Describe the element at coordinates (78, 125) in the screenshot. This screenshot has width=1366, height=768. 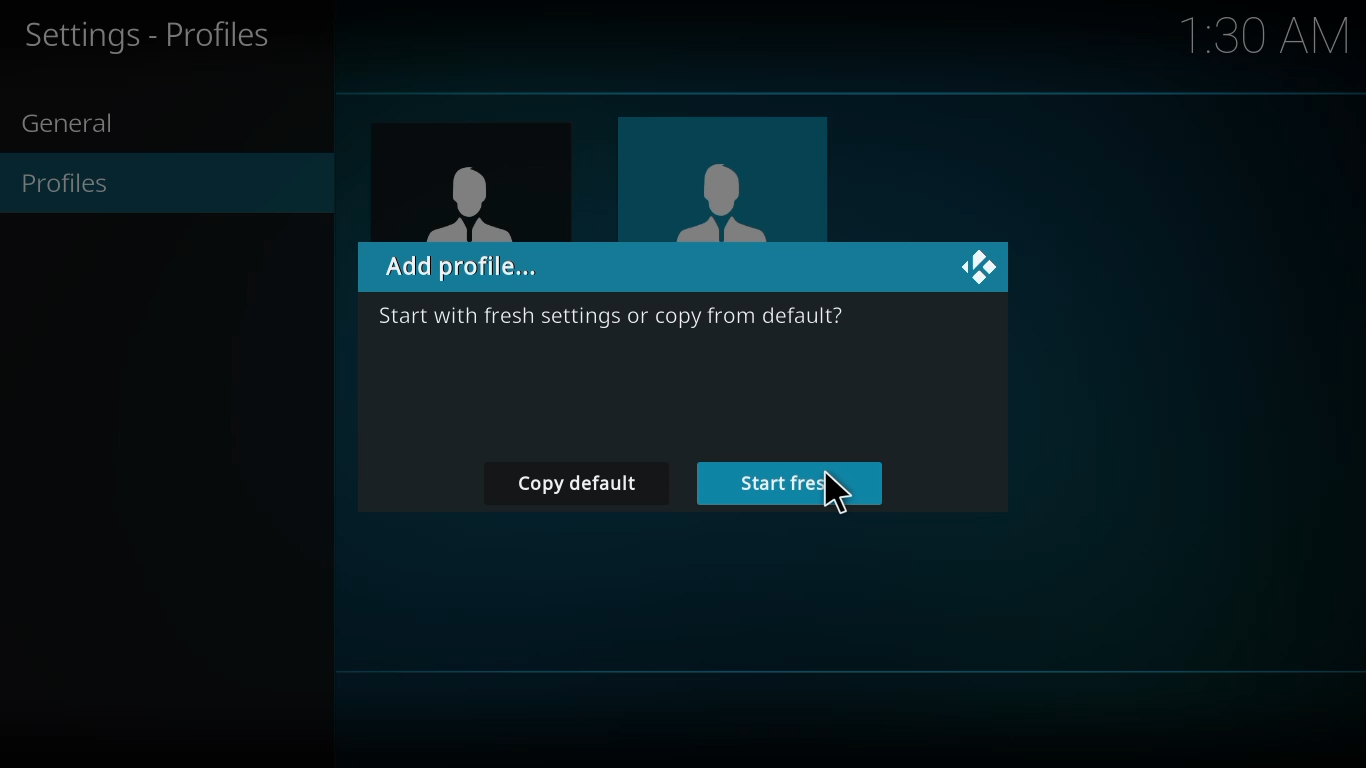
I see `general` at that location.